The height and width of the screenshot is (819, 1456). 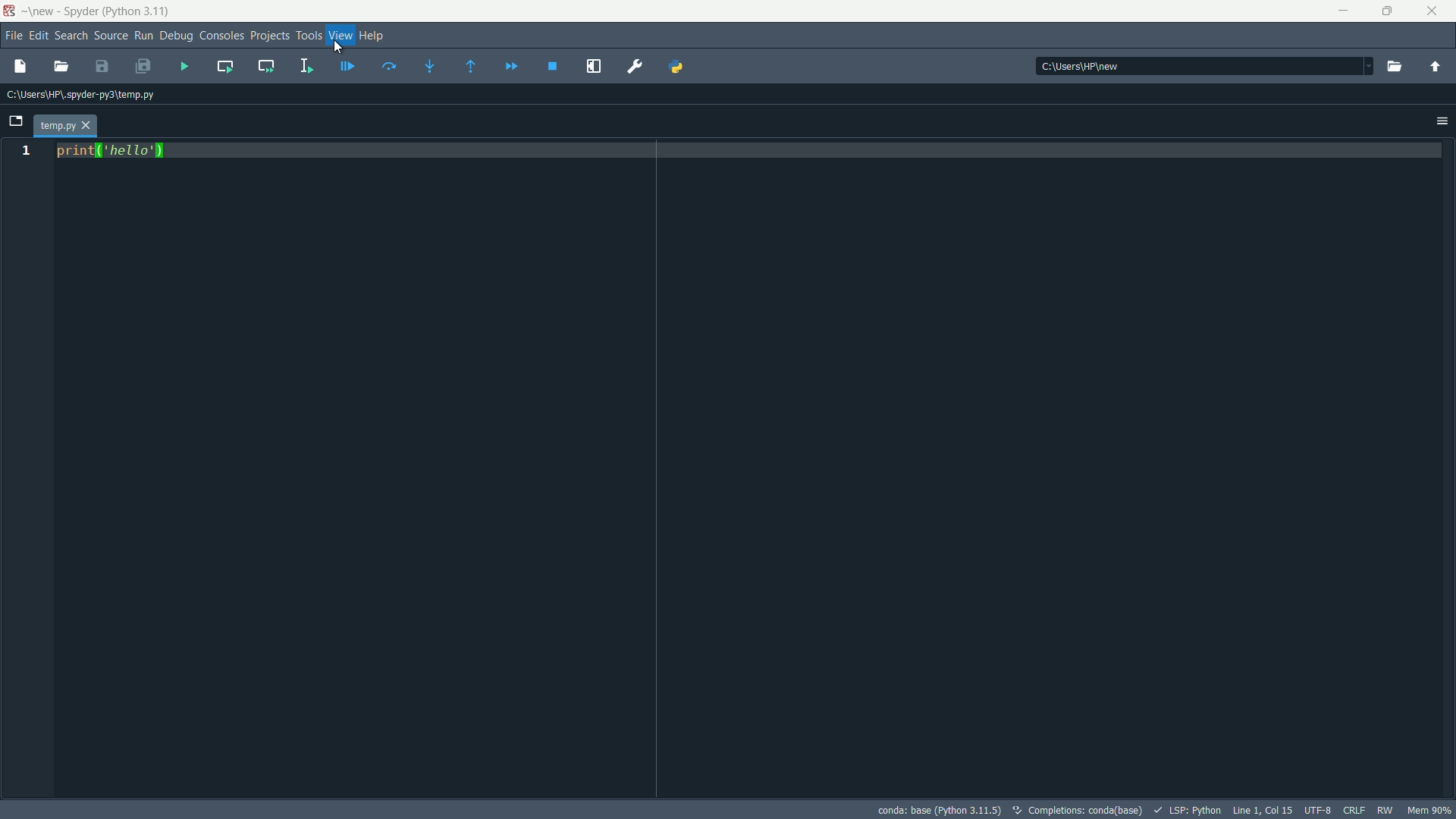 I want to click on open file, so click(x=63, y=67).